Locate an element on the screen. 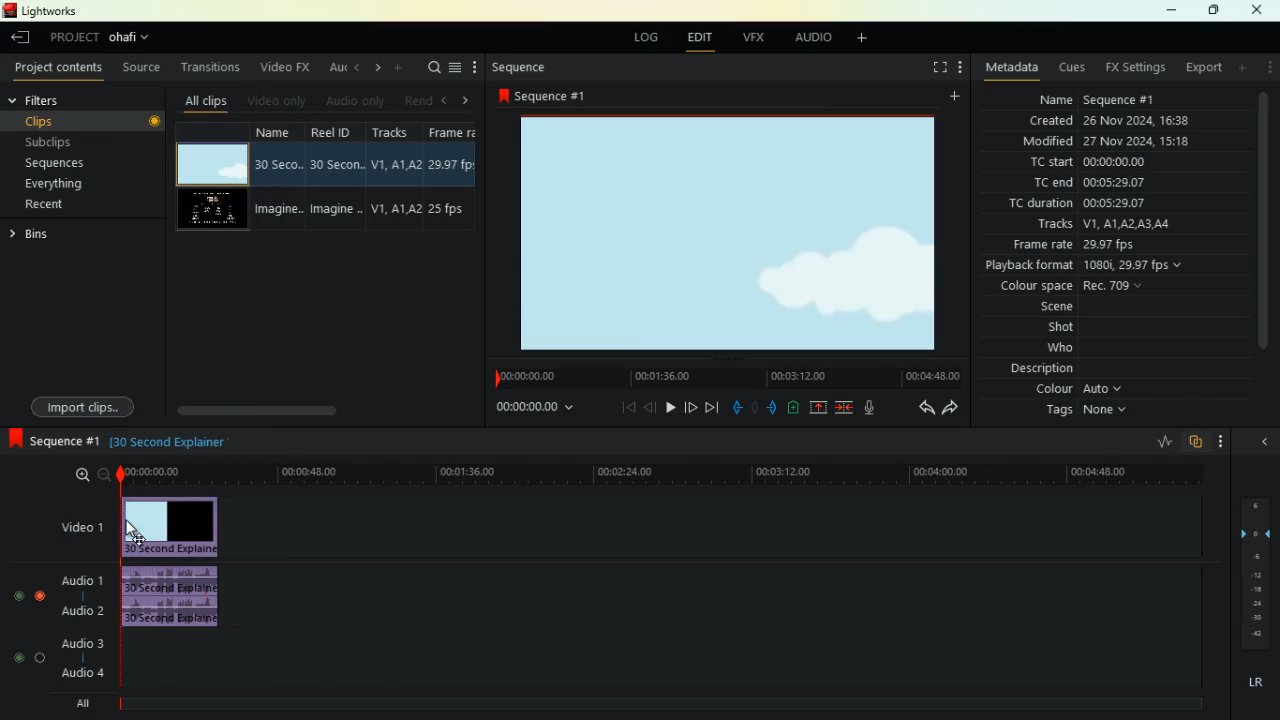  forward is located at coordinates (713, 407).